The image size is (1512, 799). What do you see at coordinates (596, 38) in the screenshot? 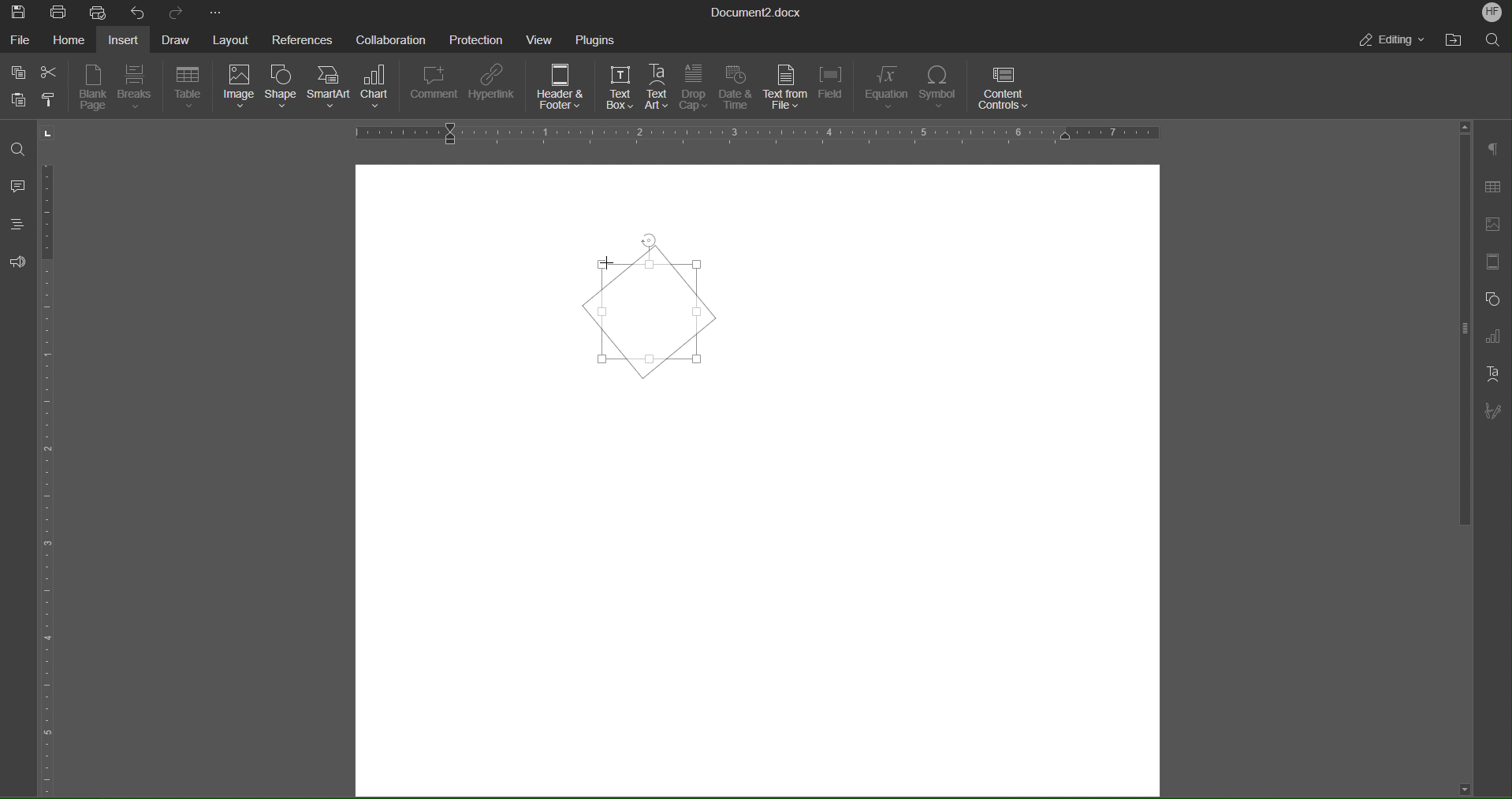
I see `Plugins` at bounding box center [596, 38].